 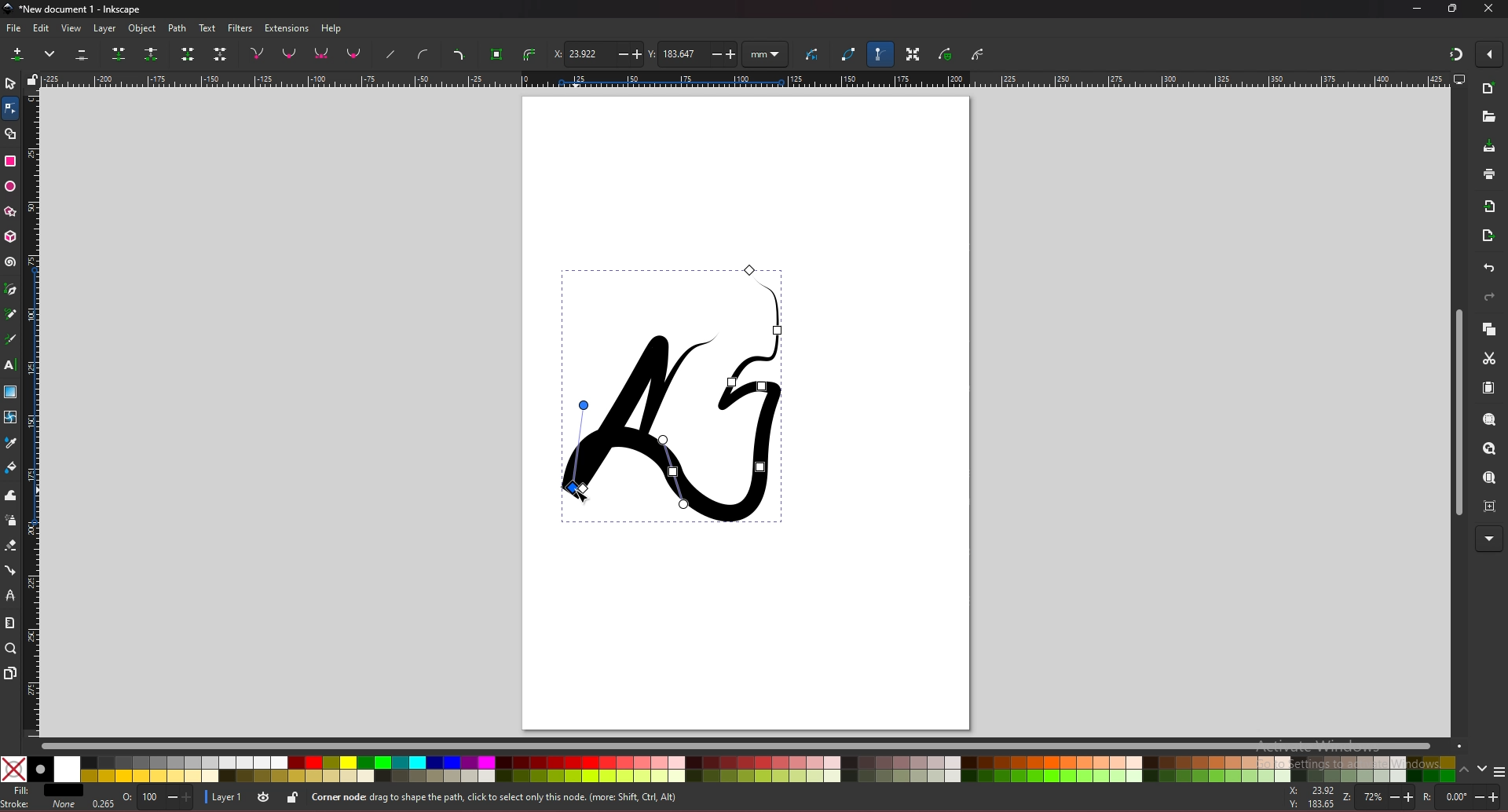 What do you see at coordinates (1488, 388) in the screenshot?
I see `paste` at bounding box center [1488, 388].